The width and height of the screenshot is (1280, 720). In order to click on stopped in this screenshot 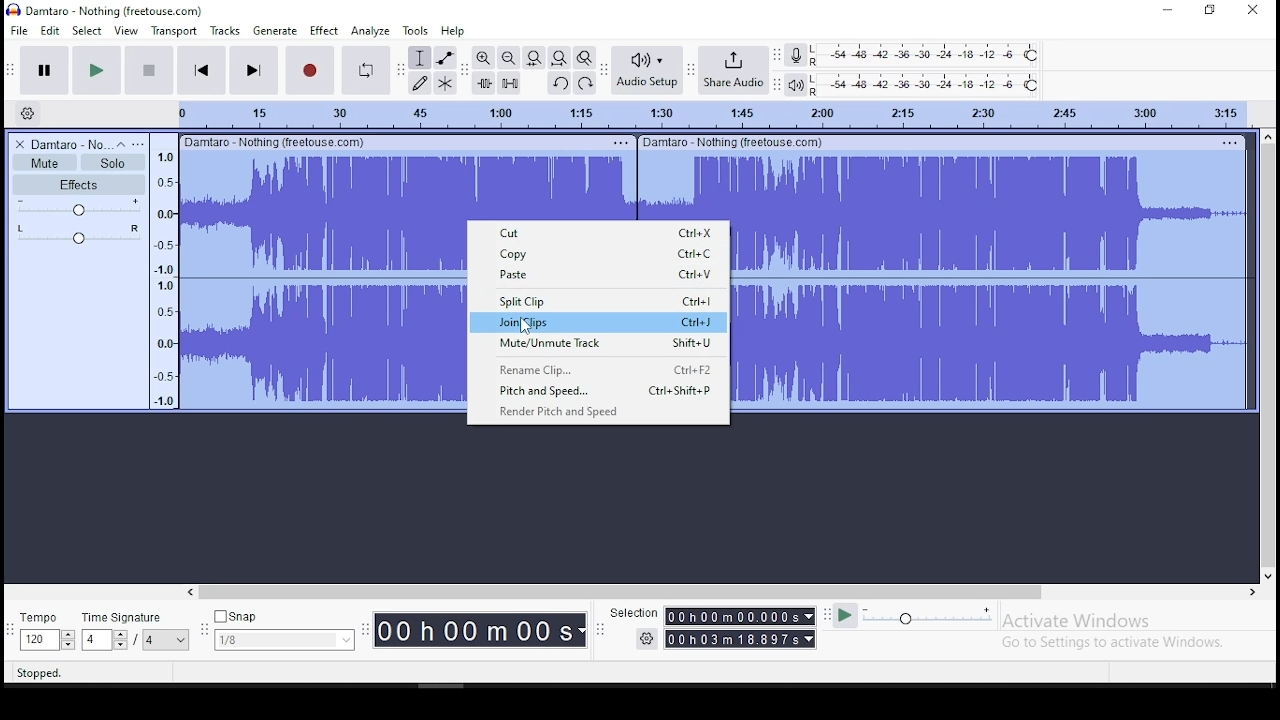, I will do `click(40, 673)`.